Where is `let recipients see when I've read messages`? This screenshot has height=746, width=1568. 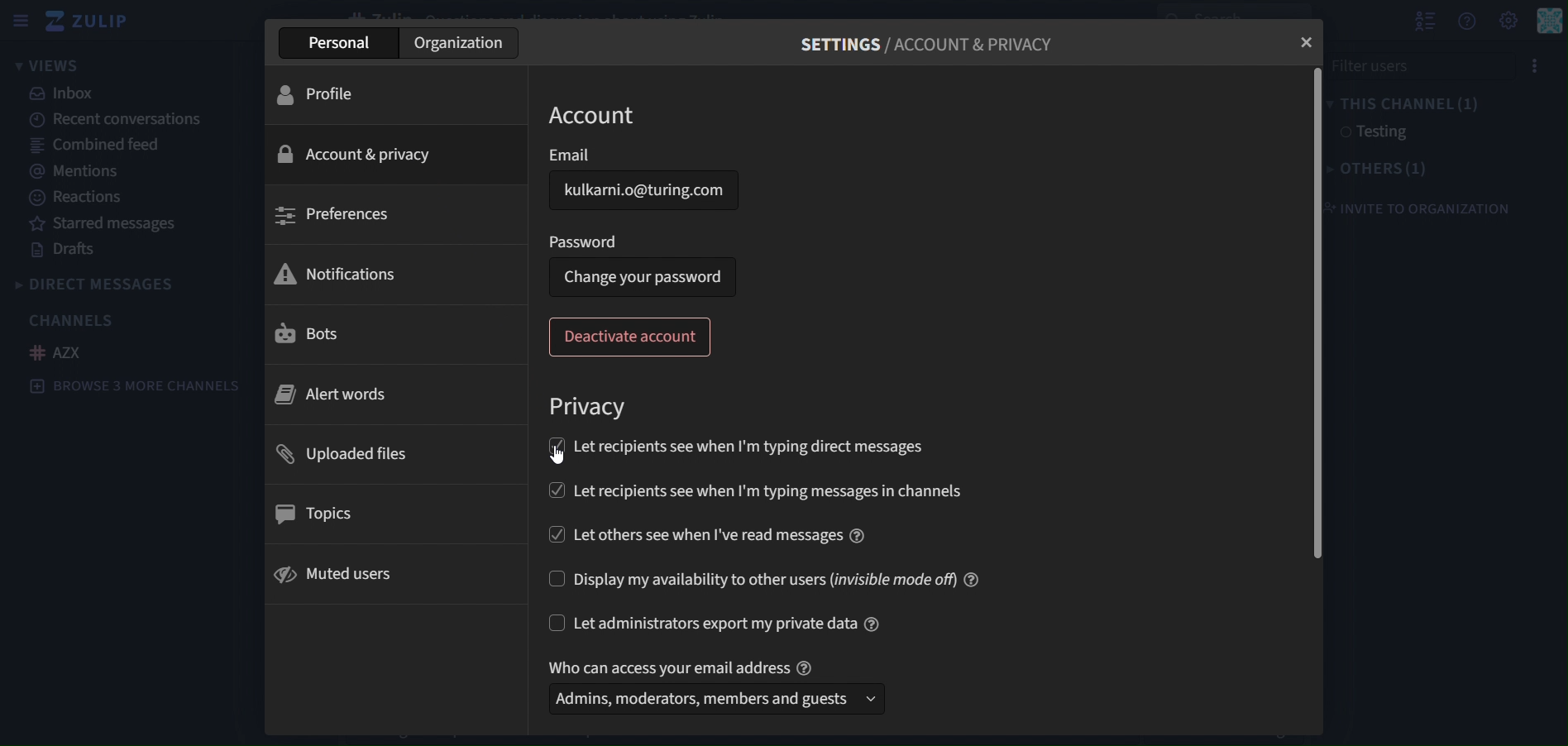
let recipients see when I've read messages is located at coordinates (716, 533).